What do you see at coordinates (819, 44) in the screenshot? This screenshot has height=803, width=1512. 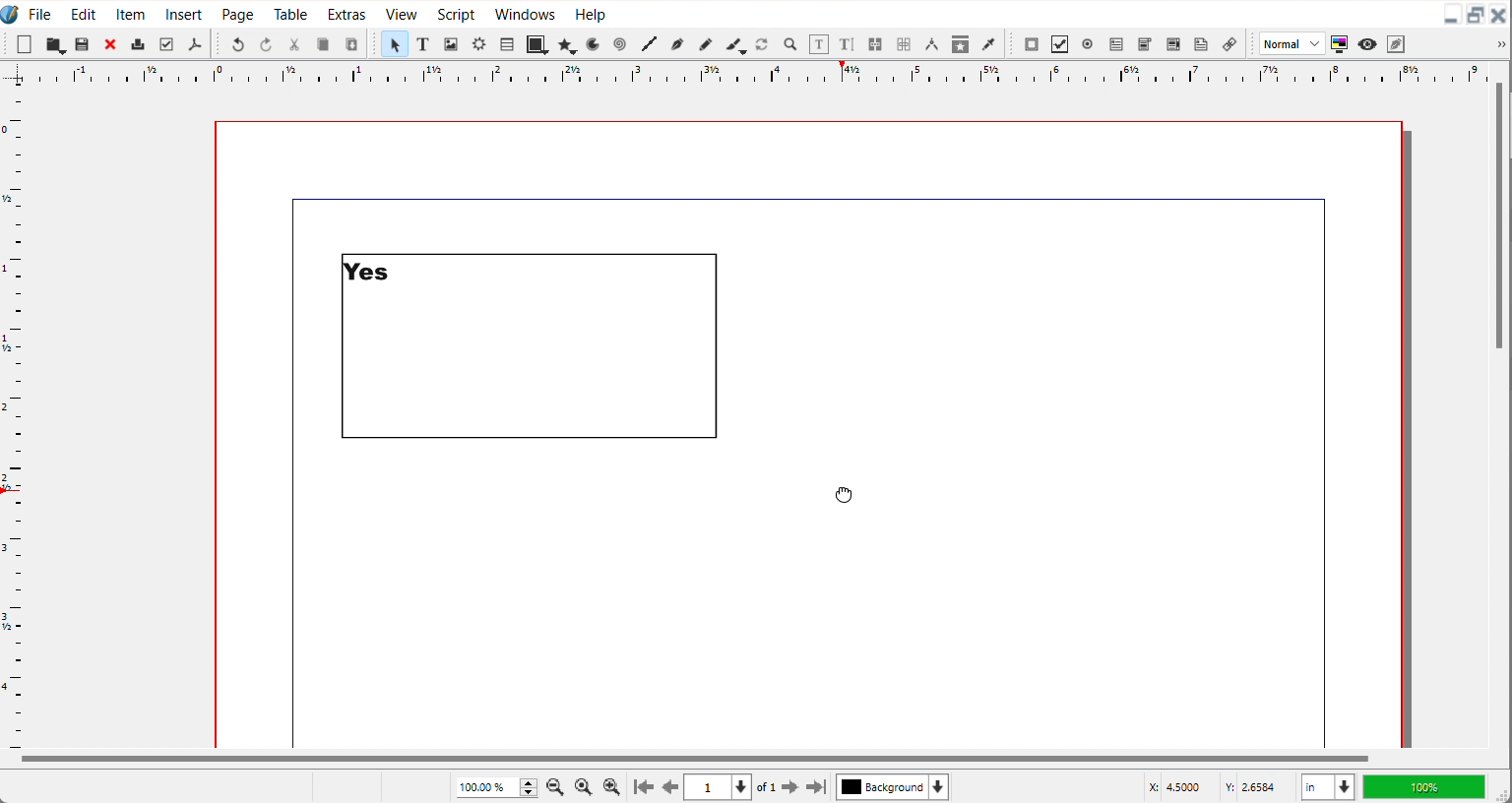 I see `Edit content with frame` at bounding box center [819, 44].